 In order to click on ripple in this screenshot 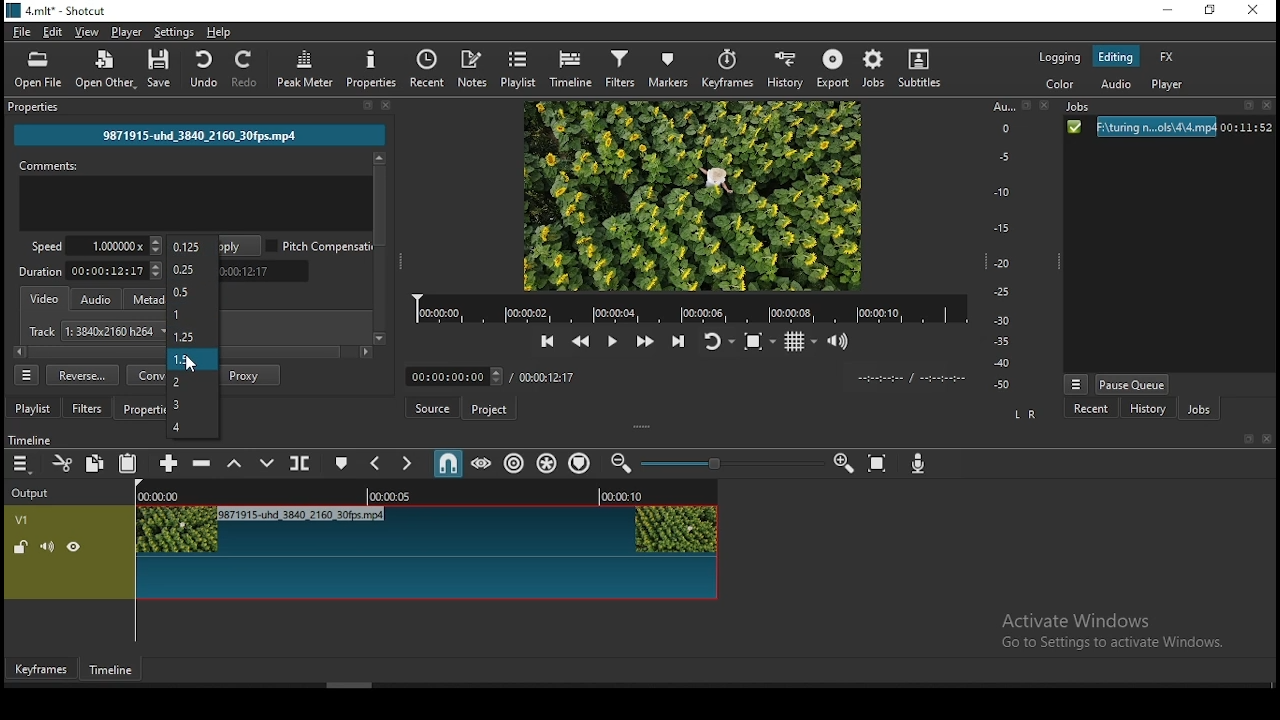, I will do `click(515, 465)`.